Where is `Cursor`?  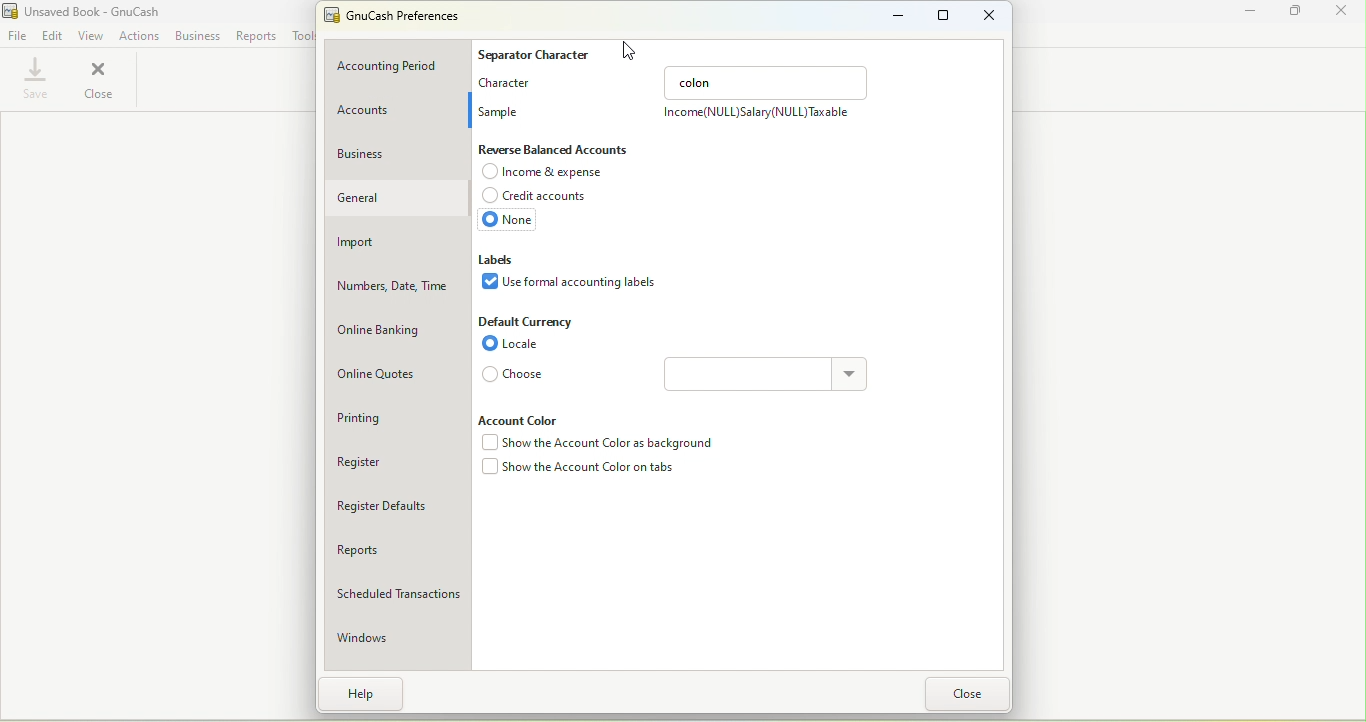
Cursor is located at coordinates (629, 52).